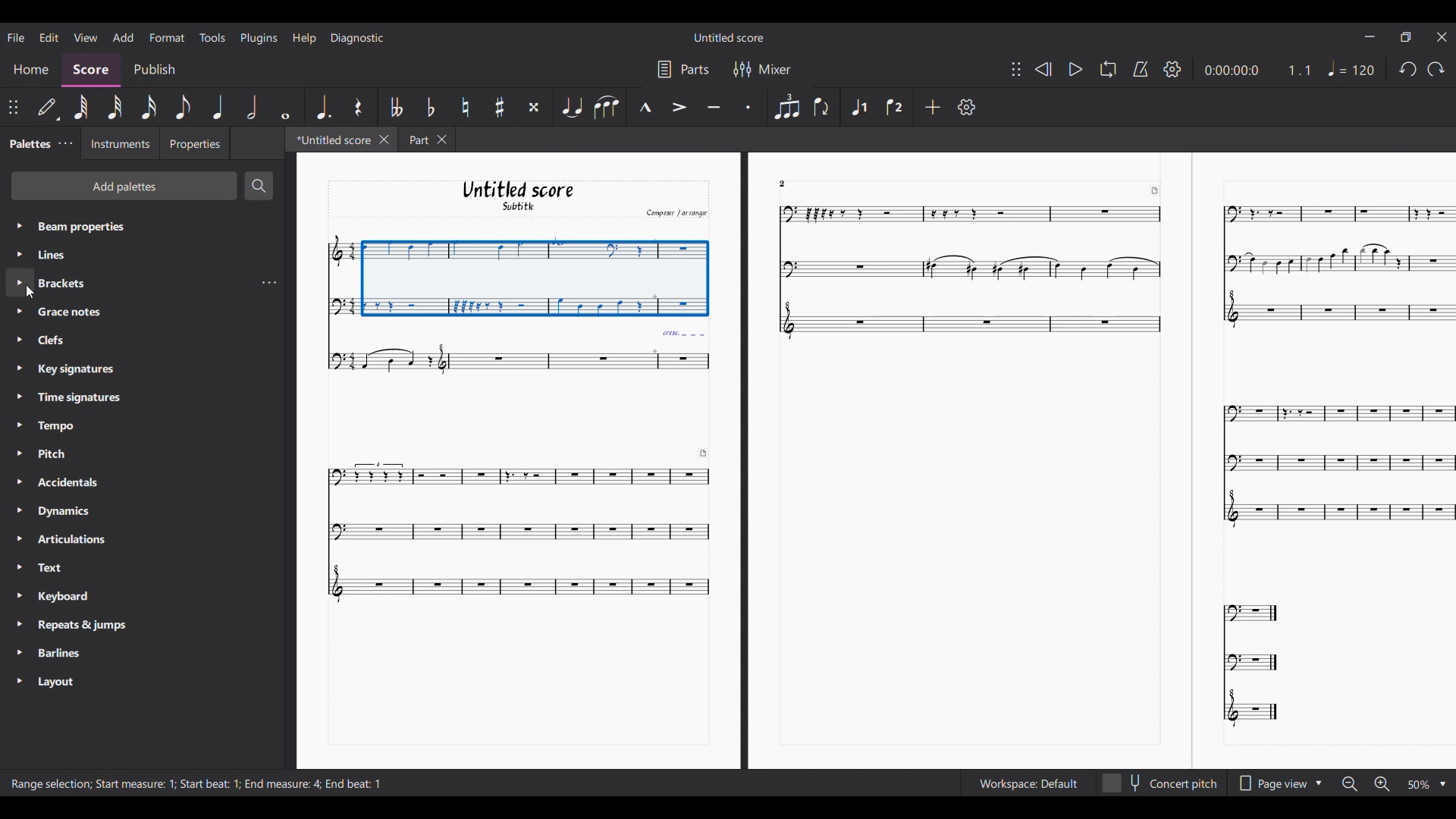  Describe the element at coordinates (523, 362) in the screenshot. I see `` at that location.